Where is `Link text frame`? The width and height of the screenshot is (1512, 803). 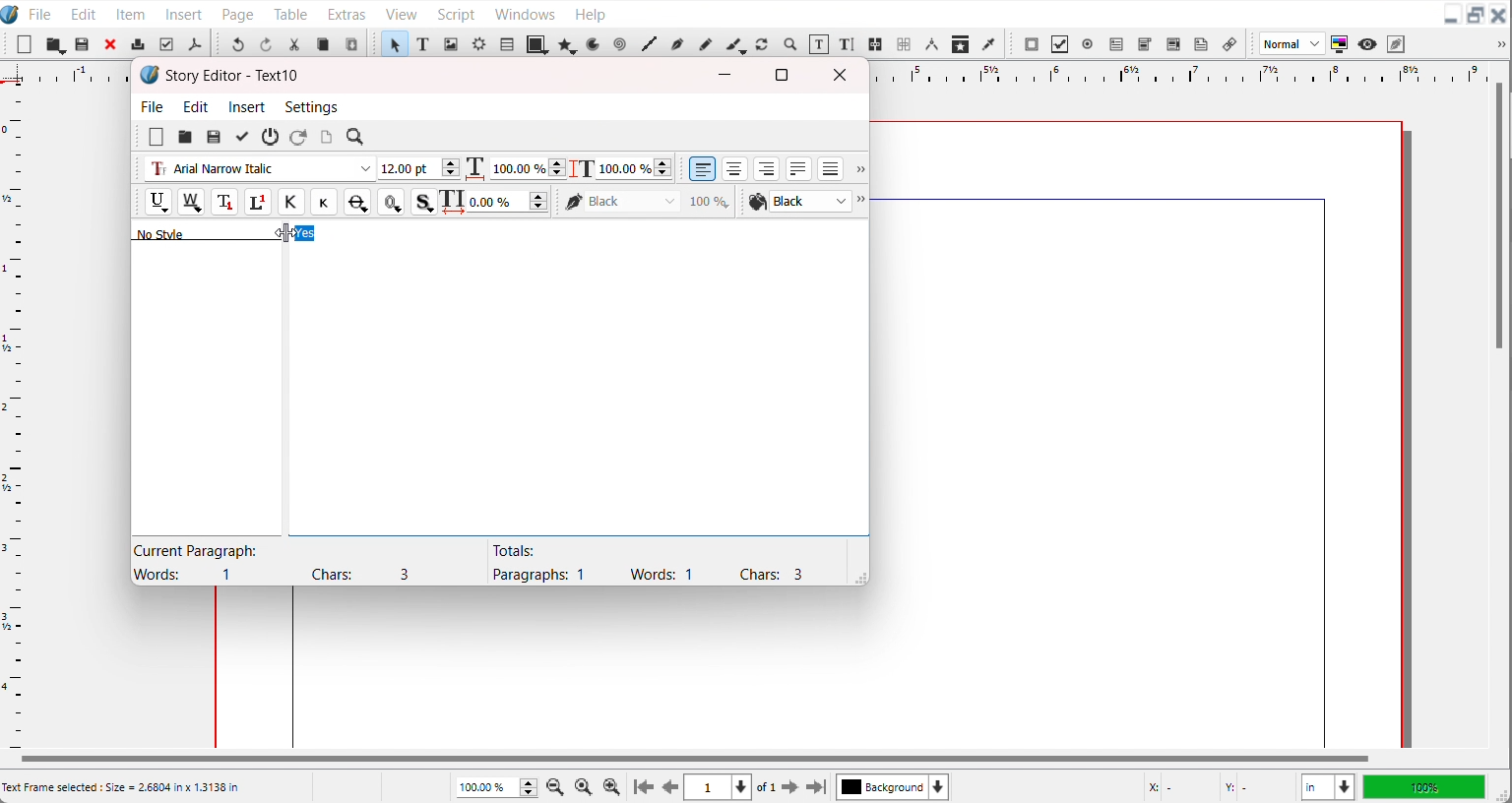
Link text frame is located at coordinates (876, 45).